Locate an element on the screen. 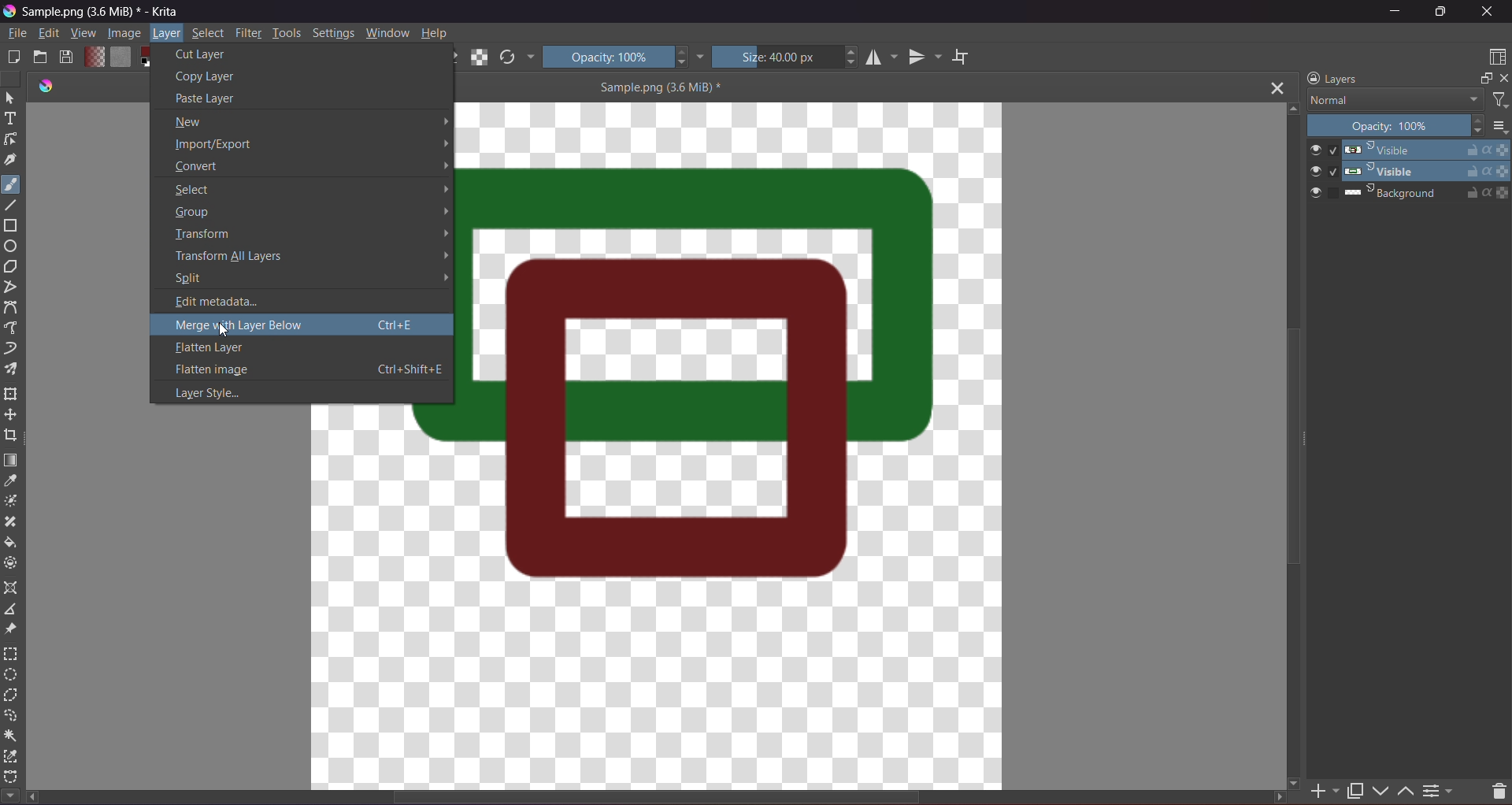 This screenshot has width=1512, height=805. Float Docker is located at coordinates (1484, 80).